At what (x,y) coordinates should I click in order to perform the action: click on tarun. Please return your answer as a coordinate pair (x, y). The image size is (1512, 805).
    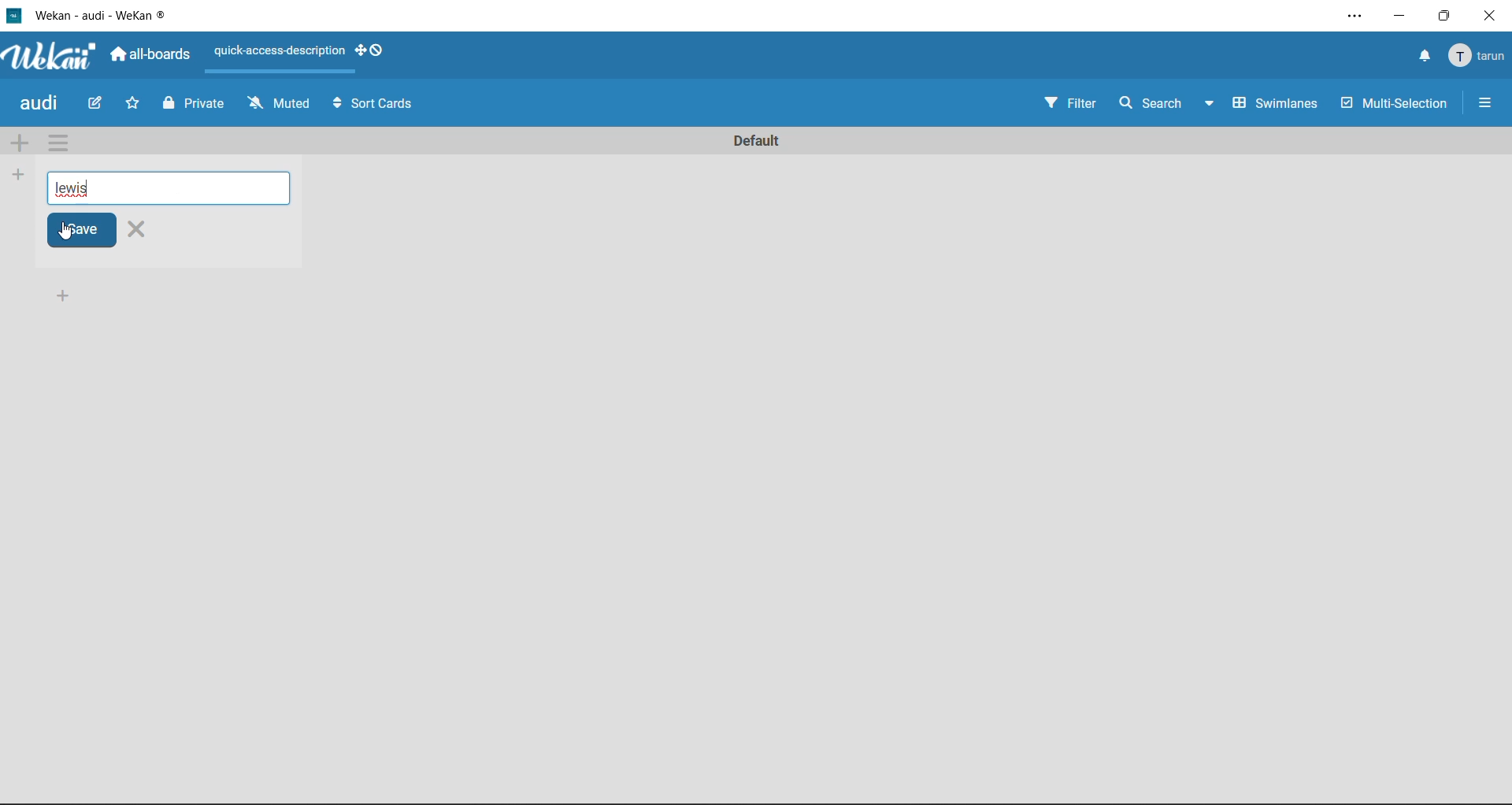
    Looking at the image, I should click on (1479, 60).